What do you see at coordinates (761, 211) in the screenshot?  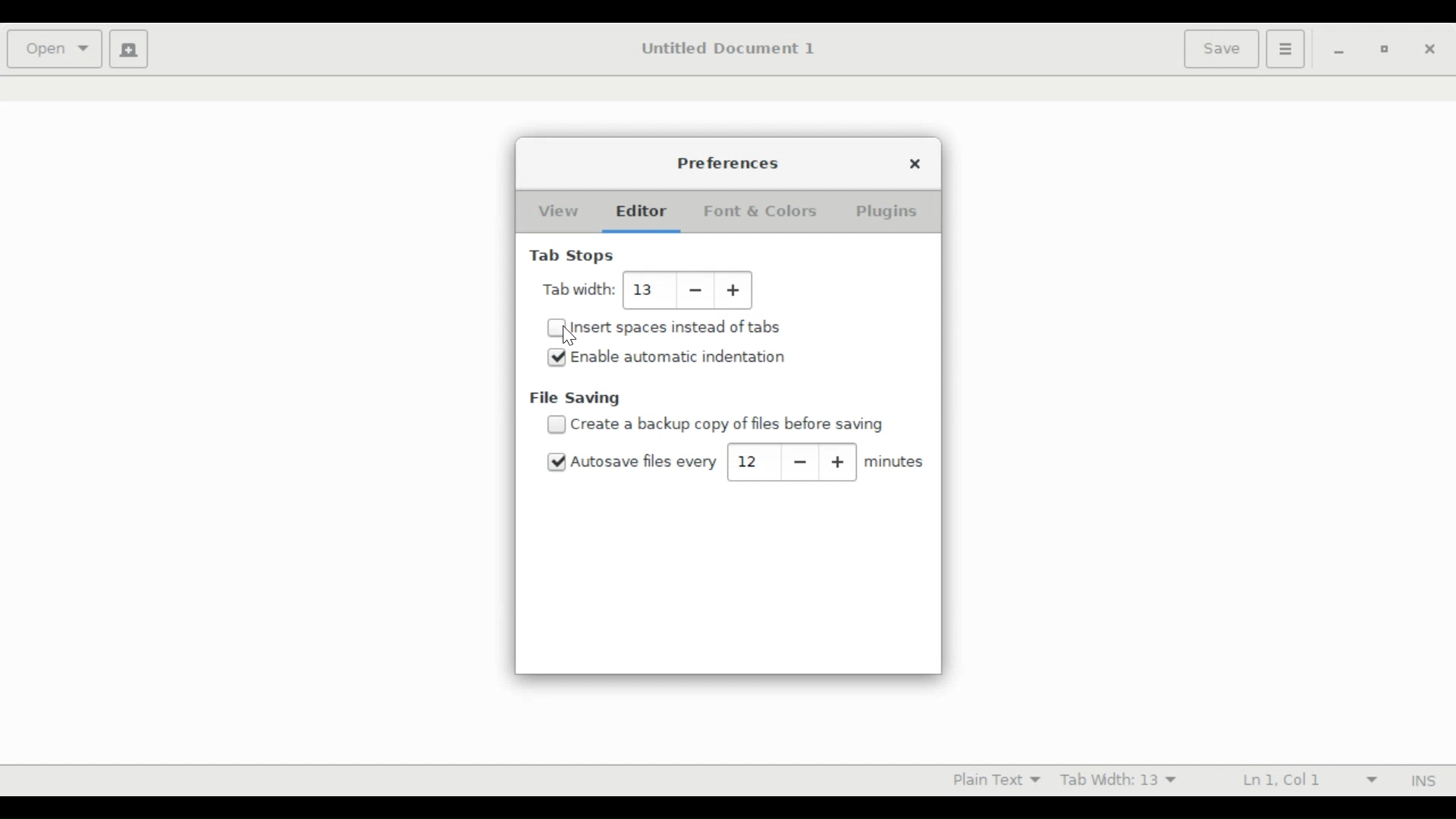 I see `Font & Colors` at bounding box center [761, 211].